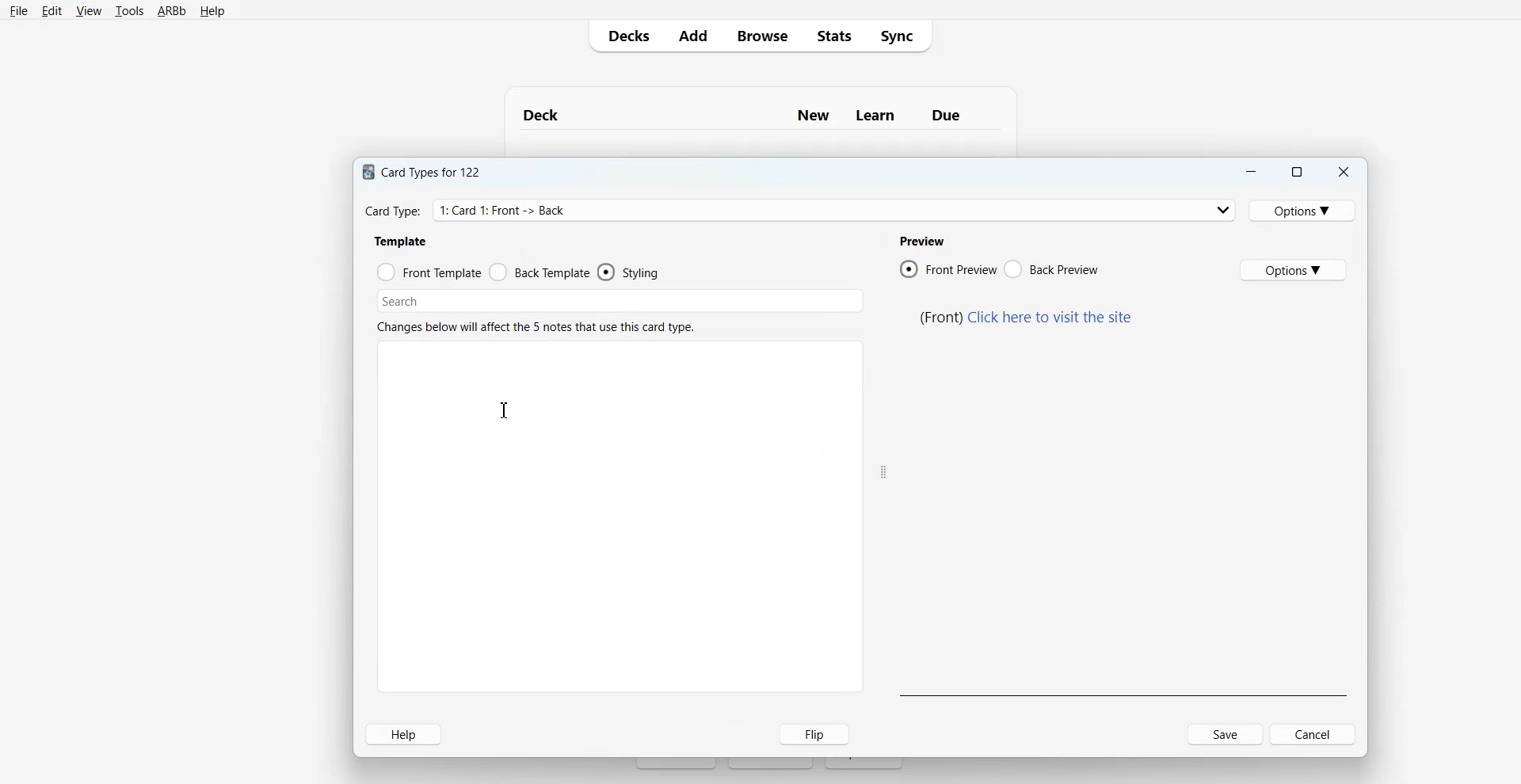  I want to click on View, so click(89, 10).